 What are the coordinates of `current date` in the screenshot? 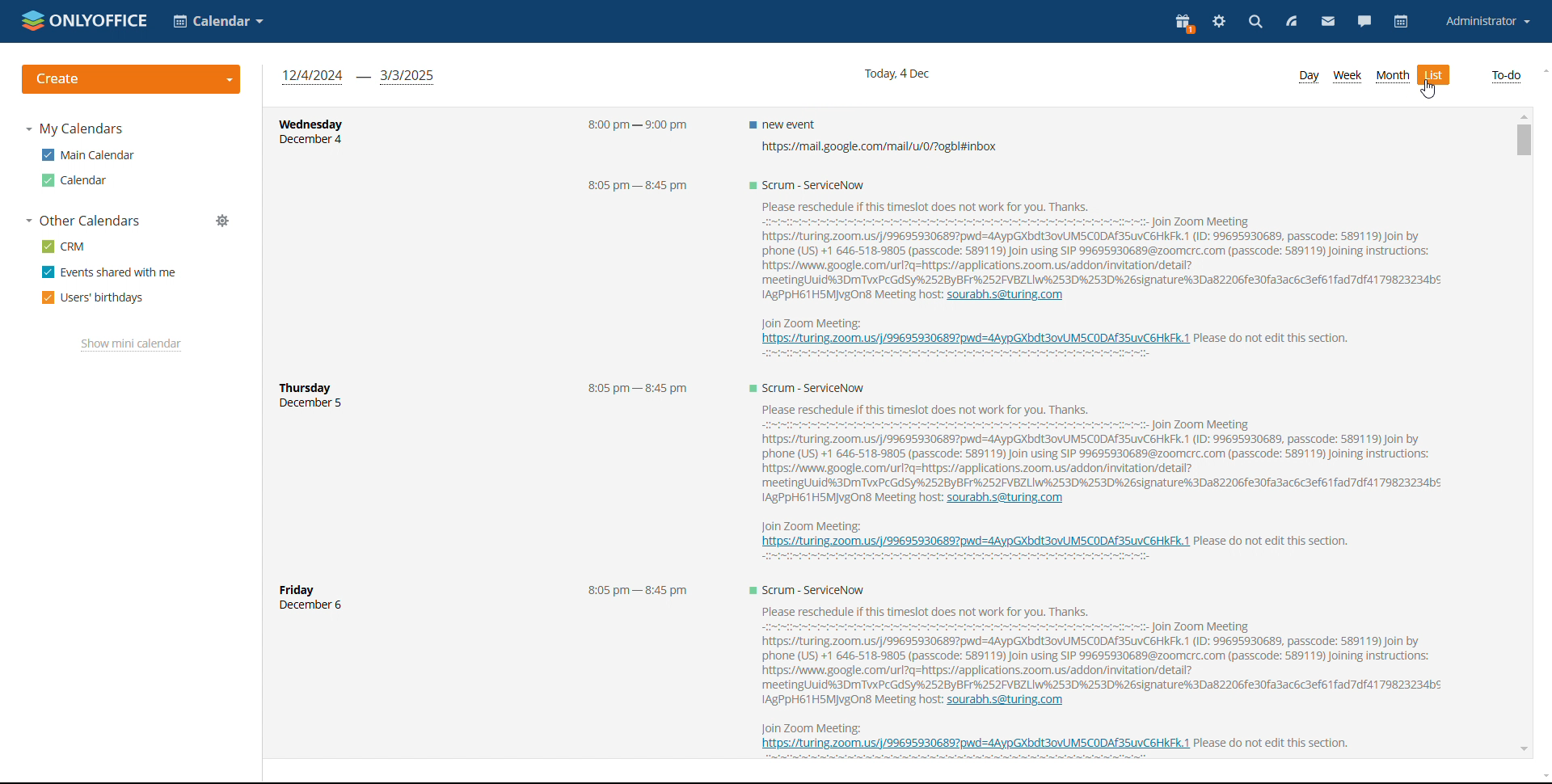 It's located at (895, 73).